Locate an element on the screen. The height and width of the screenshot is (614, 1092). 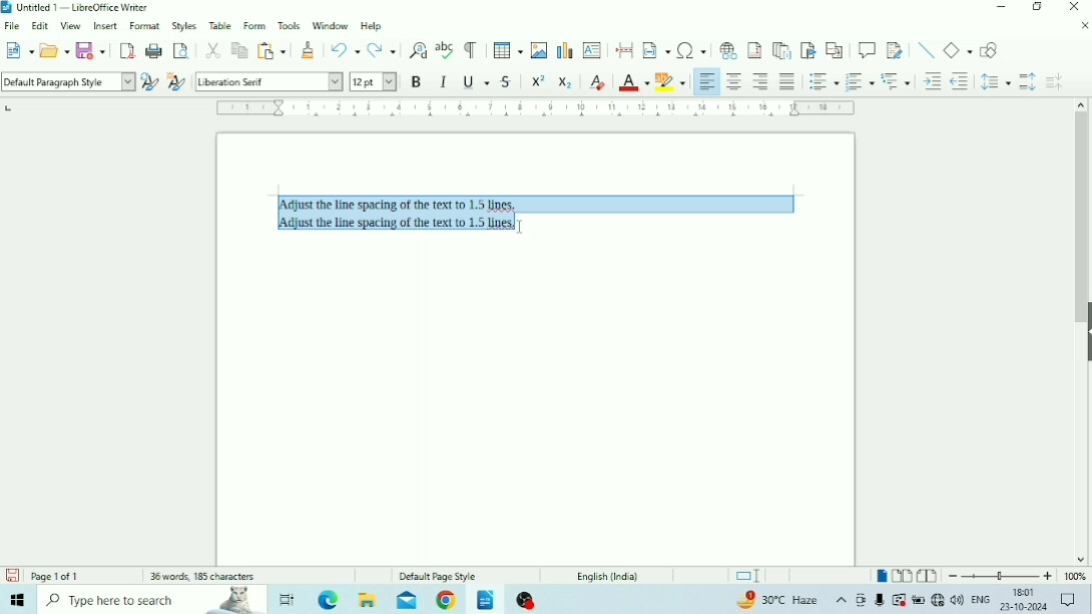
Multiple-page view is located at coordinates (902, 576).